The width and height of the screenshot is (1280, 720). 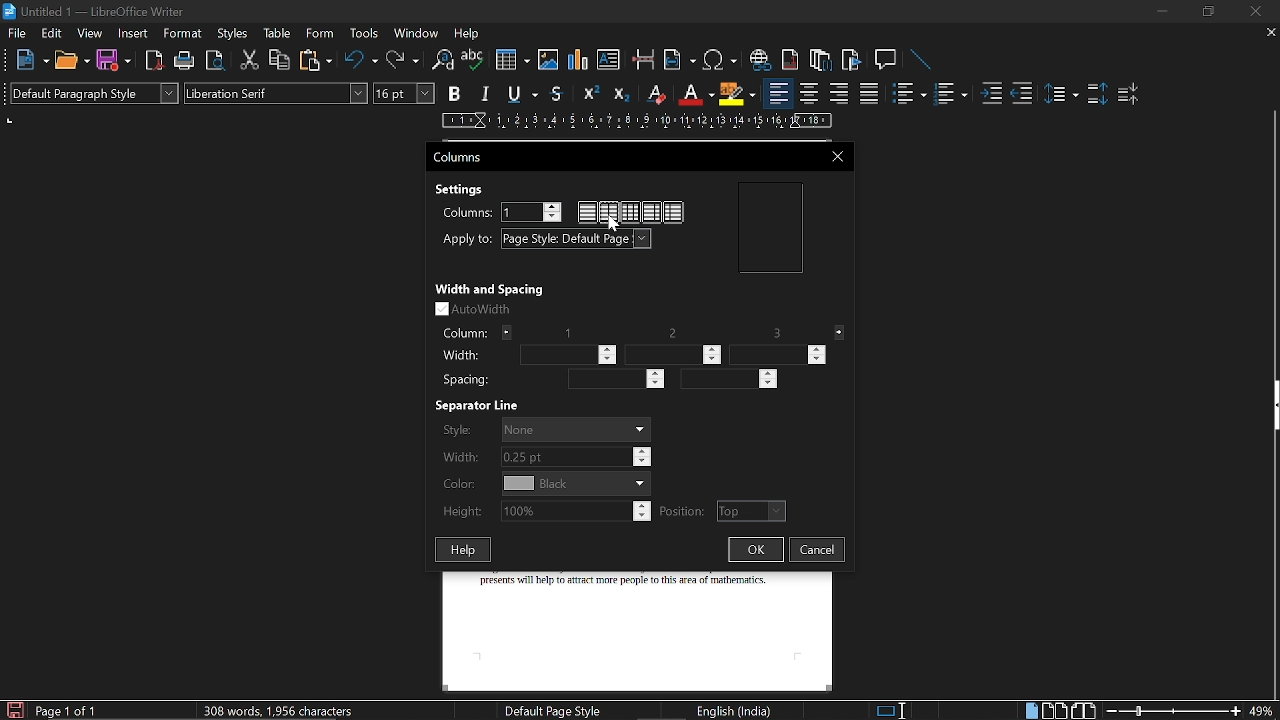 What do you see at coordinates (1159, 11) in the screenshot?
I see `Minimize` at bounding box center [1159, 11].